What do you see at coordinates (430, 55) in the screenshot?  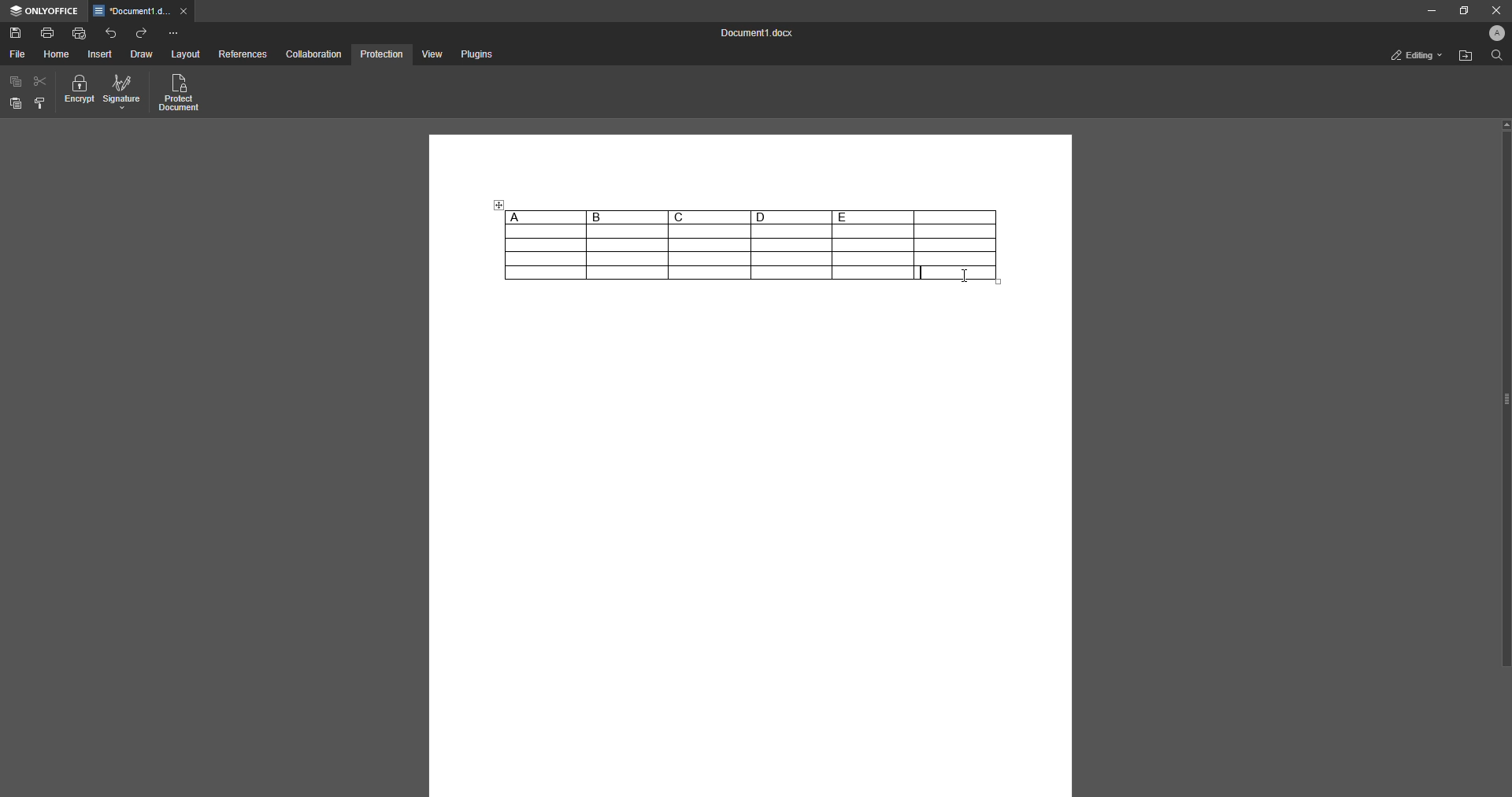 I see `View` at bounding box center [430, 55].